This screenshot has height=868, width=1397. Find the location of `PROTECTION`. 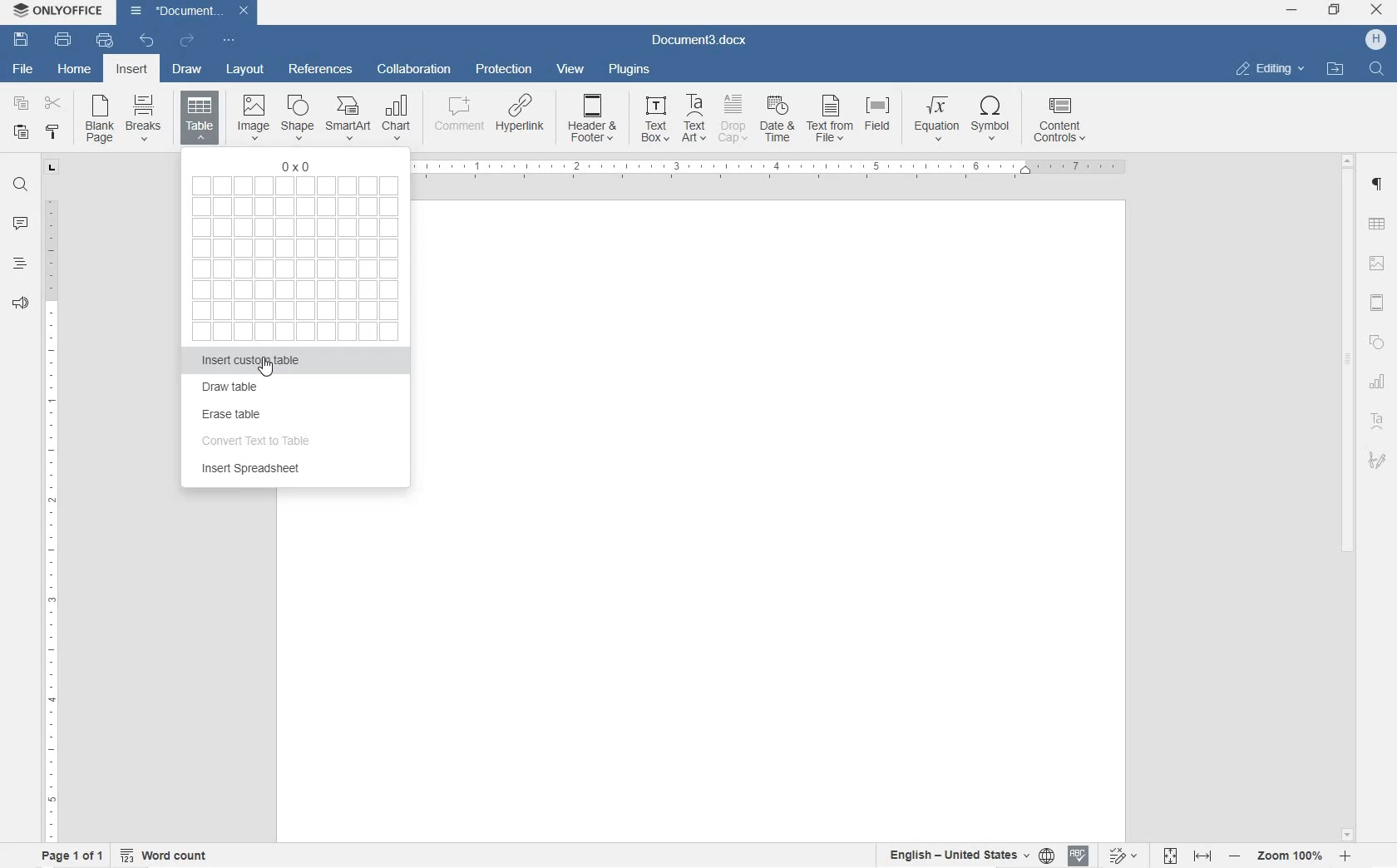

PROTECTION is located at coordinates (503, 71).